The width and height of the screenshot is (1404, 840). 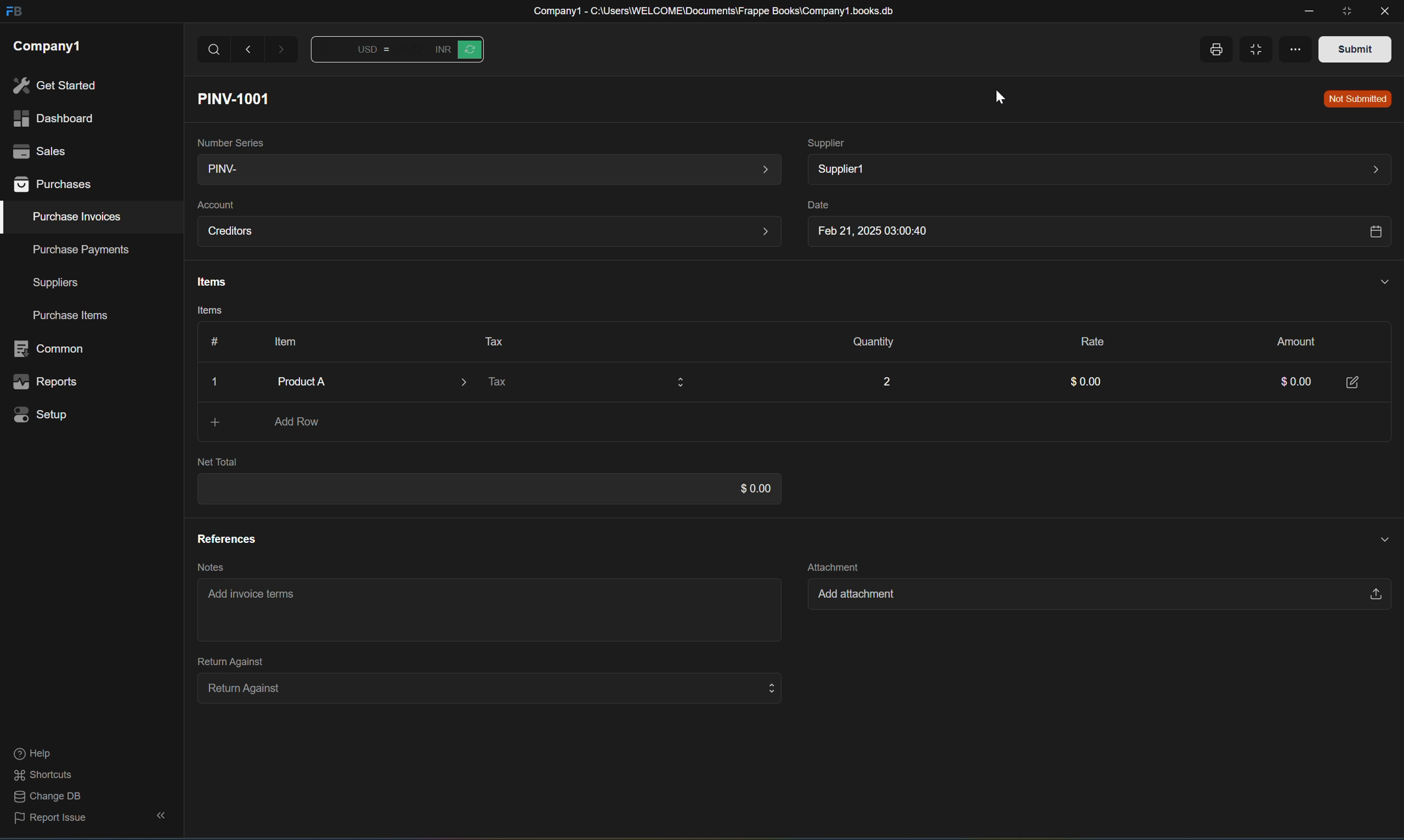 I want to click on 2, so click(x=885, y=379).